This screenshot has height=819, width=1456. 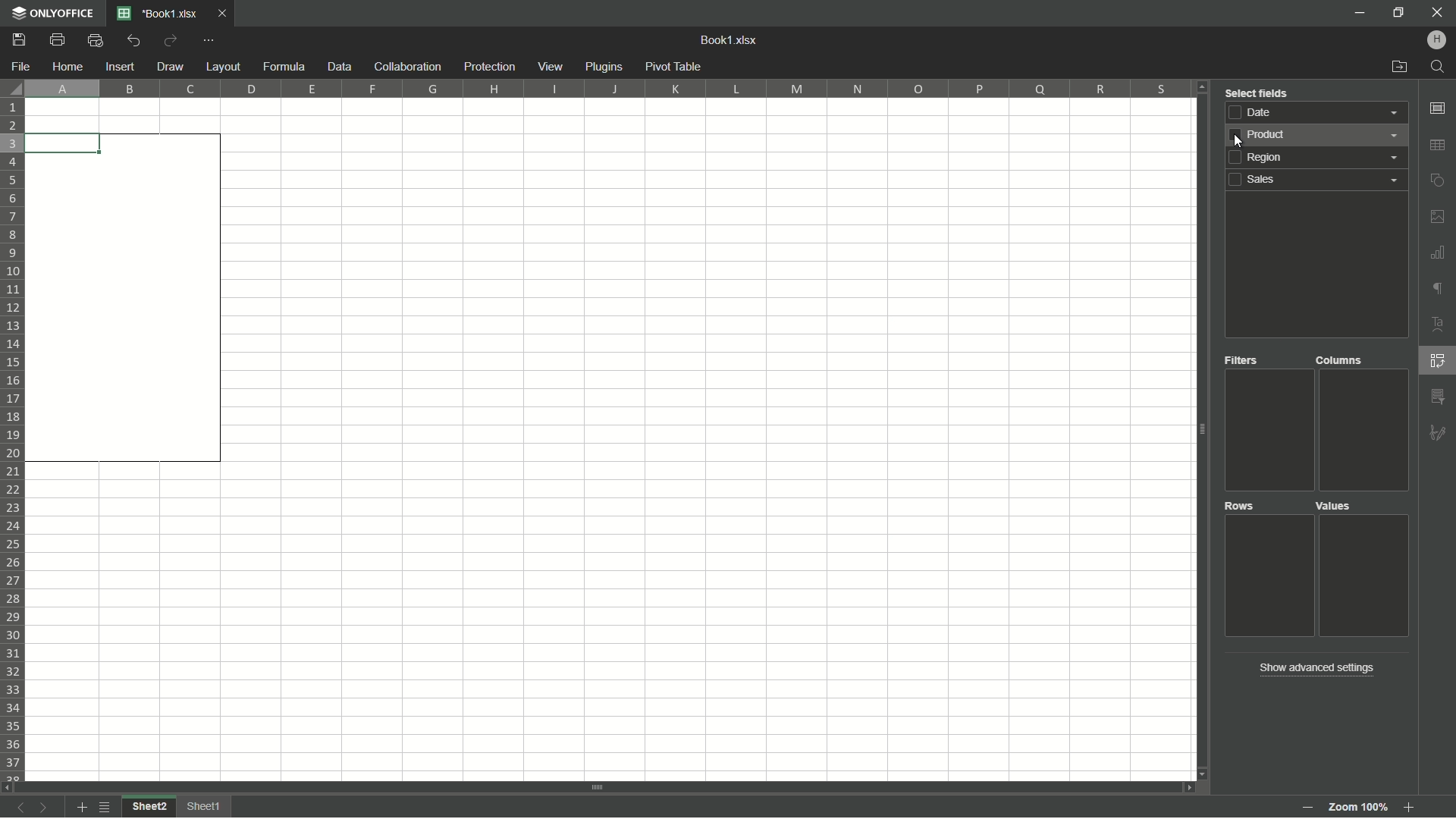 What do you see at coordinates (1357, 803) in the screenshot?
I see `zoom 100%` at bounding box center [1357, 803].